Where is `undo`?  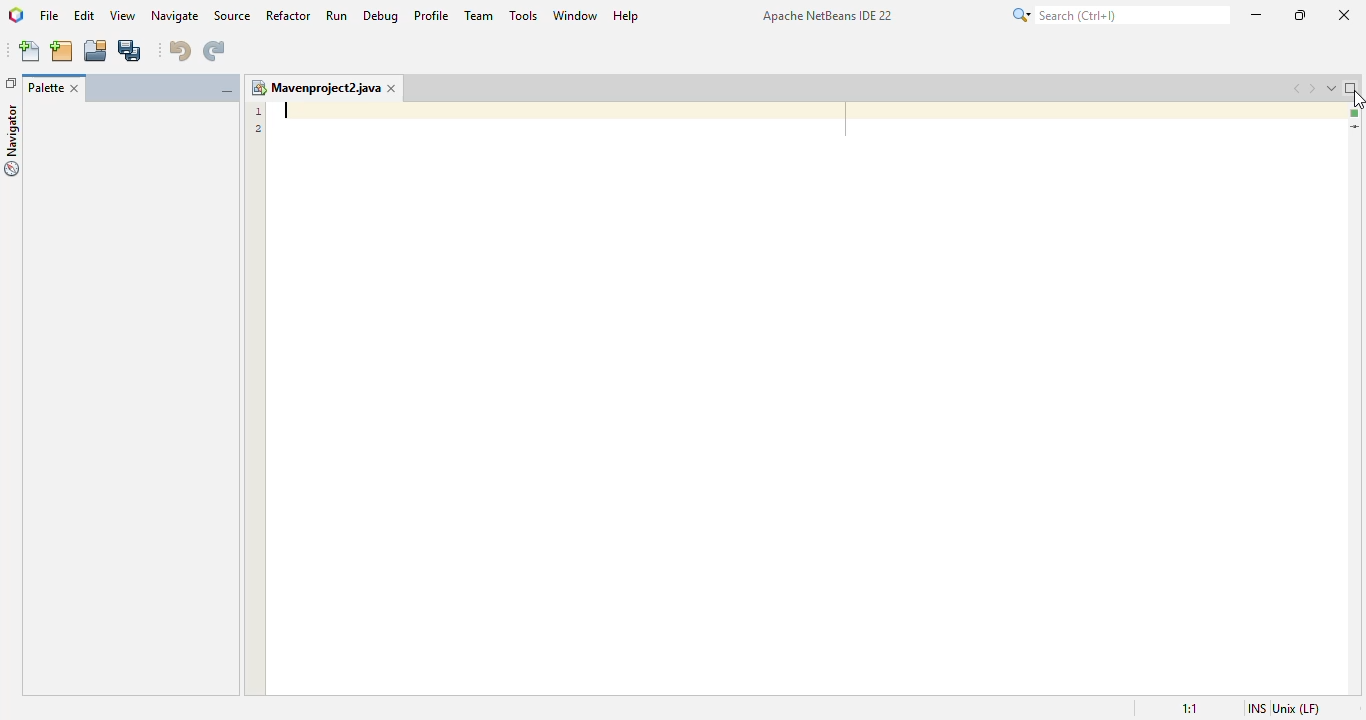
undo is located at coordinates (181, 51).